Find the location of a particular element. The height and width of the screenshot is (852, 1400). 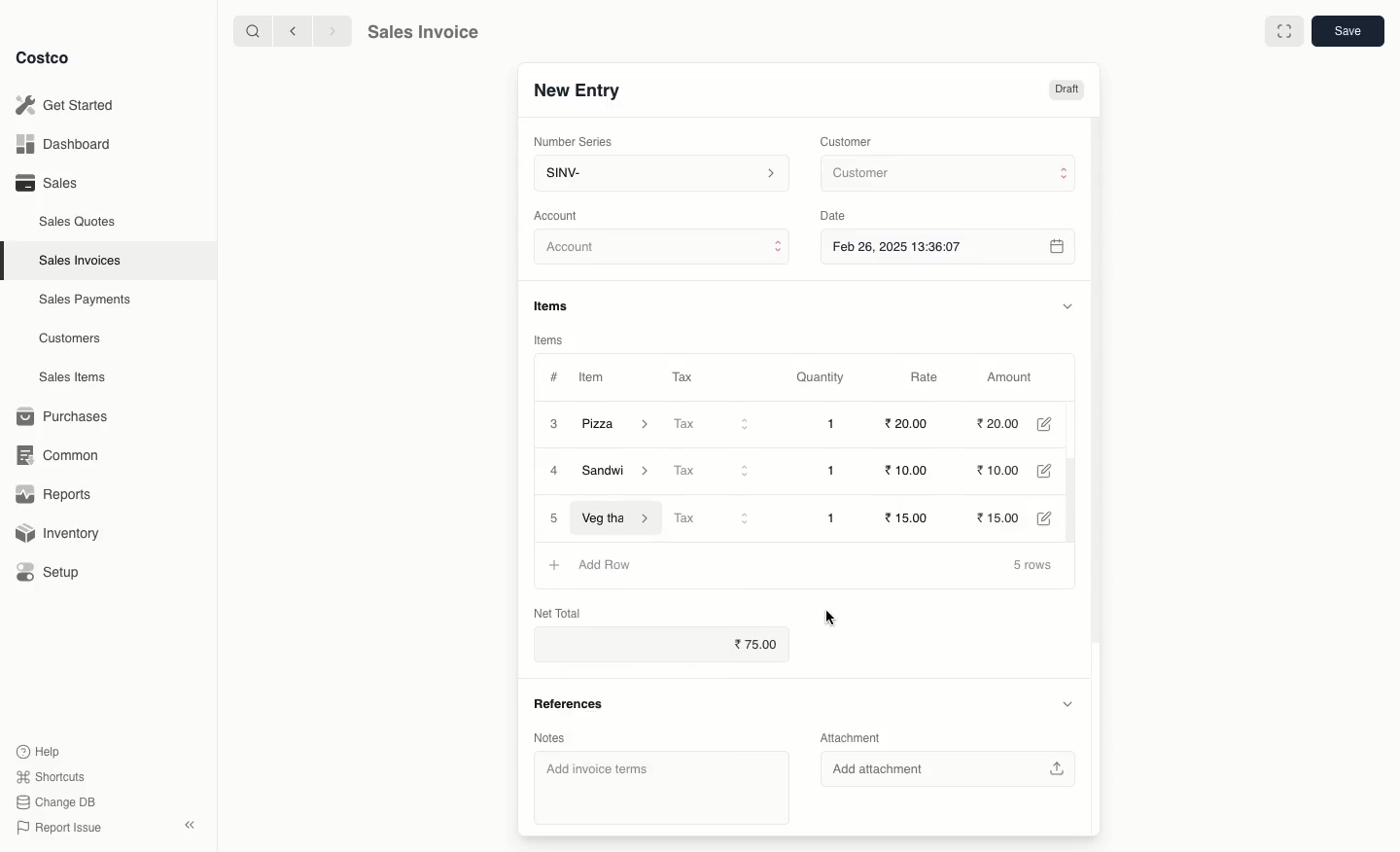

Inventory is located at coordinates (61, 531).